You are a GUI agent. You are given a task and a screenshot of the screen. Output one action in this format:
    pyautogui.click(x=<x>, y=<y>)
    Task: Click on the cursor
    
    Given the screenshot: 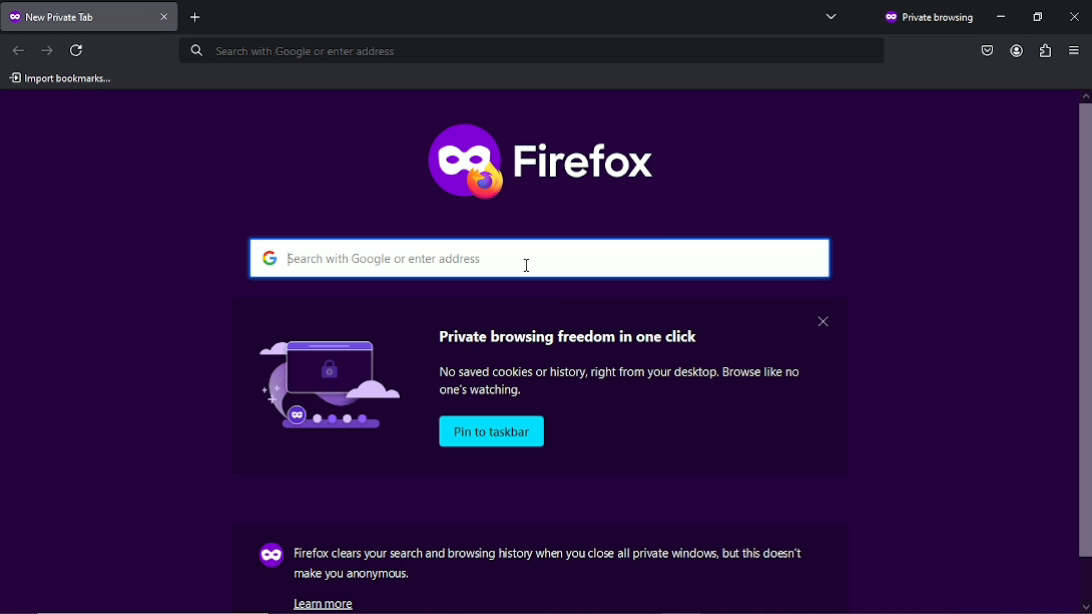 What is the action you would take?
    pyautogui.click(x=529, y=265)
    